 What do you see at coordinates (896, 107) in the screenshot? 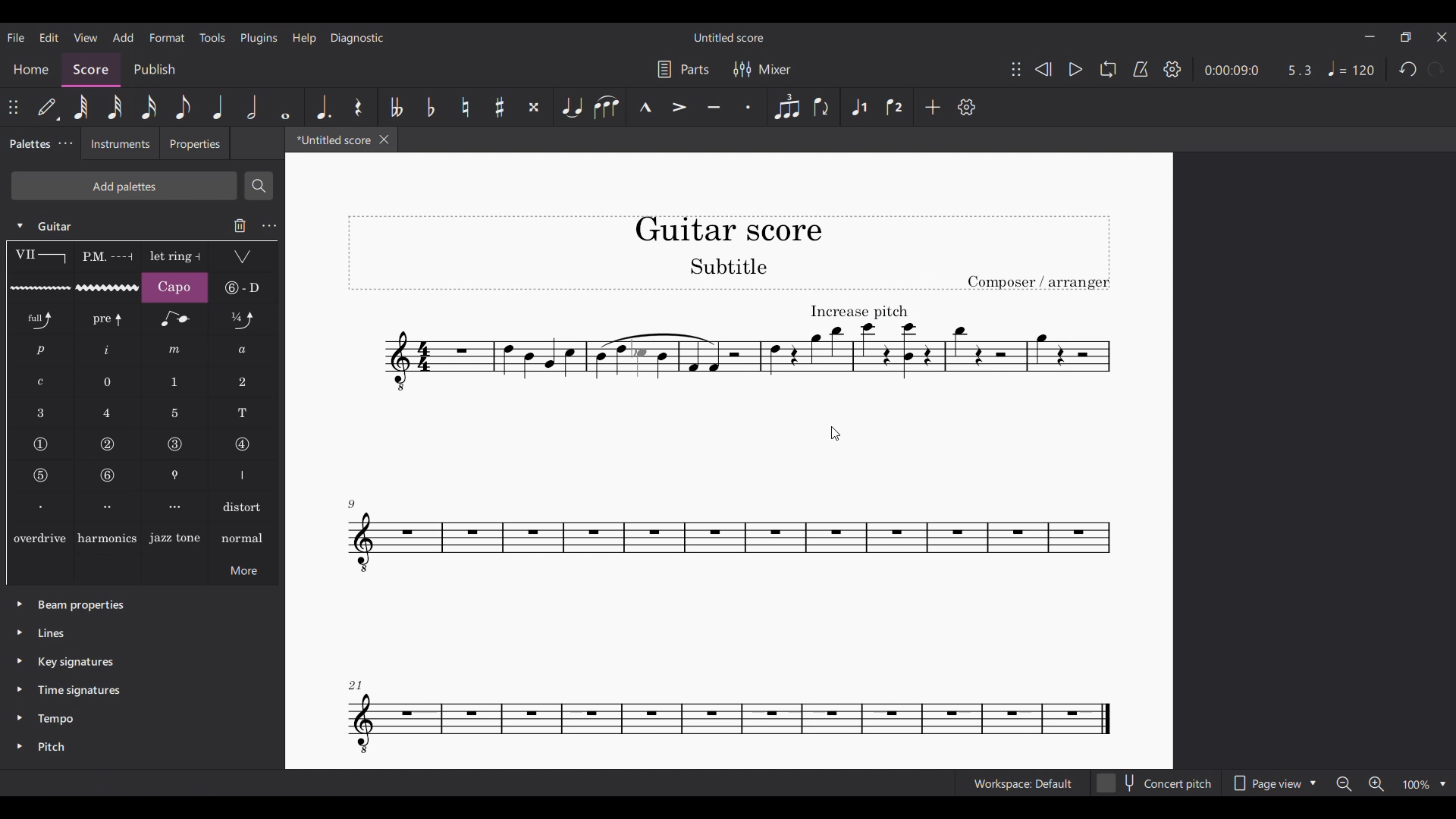
I see `Voice 2` at bounding box center [896, 107].